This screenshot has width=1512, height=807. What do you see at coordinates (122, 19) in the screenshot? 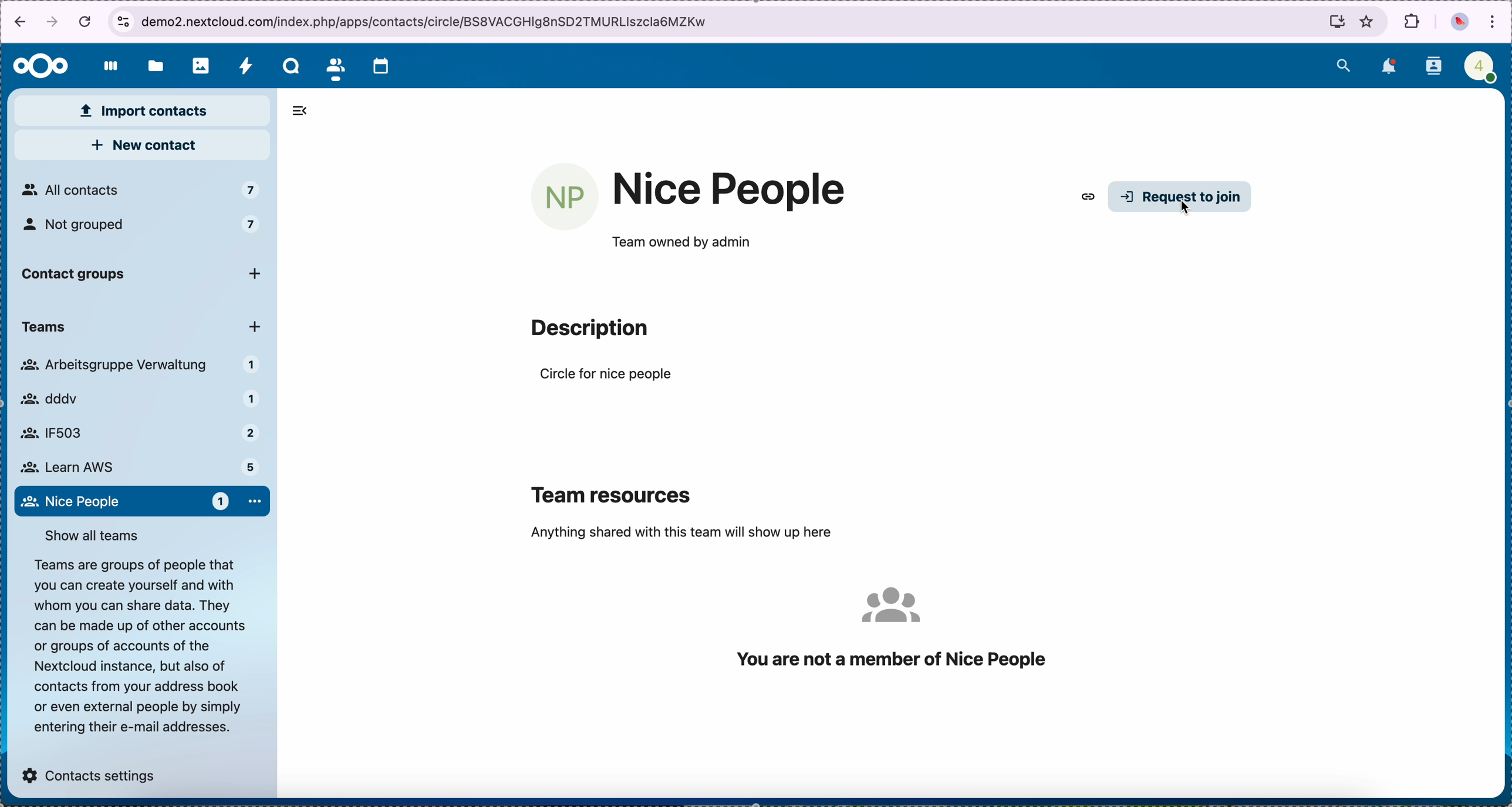
I see `controls` at bounding box center [122, 19].